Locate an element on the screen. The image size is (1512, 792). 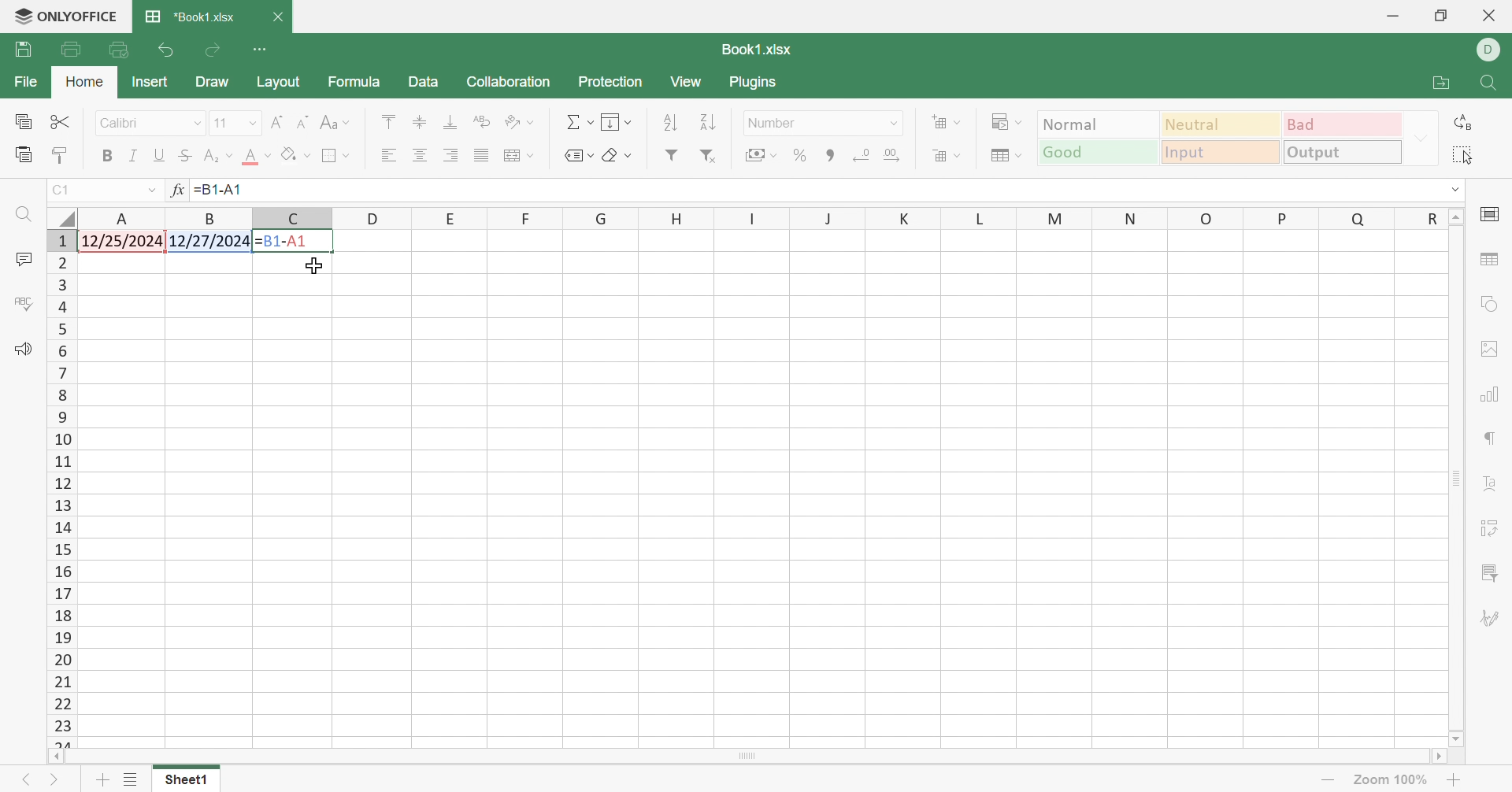
Input is located at coordinates (1221, 154).